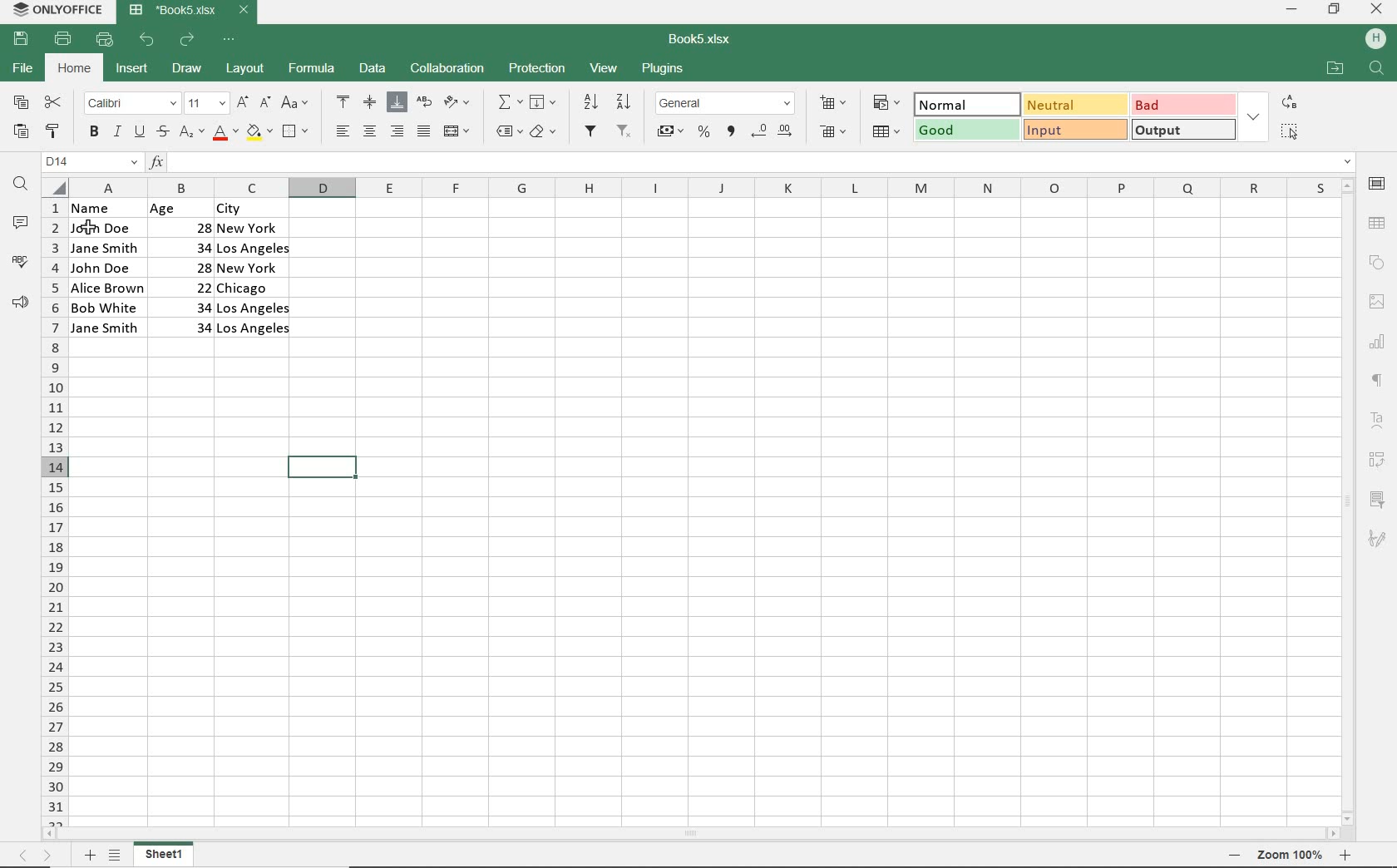 This screenshot has width=1397, height=868. I want to click on FONT SIZE, so click(204, 103).